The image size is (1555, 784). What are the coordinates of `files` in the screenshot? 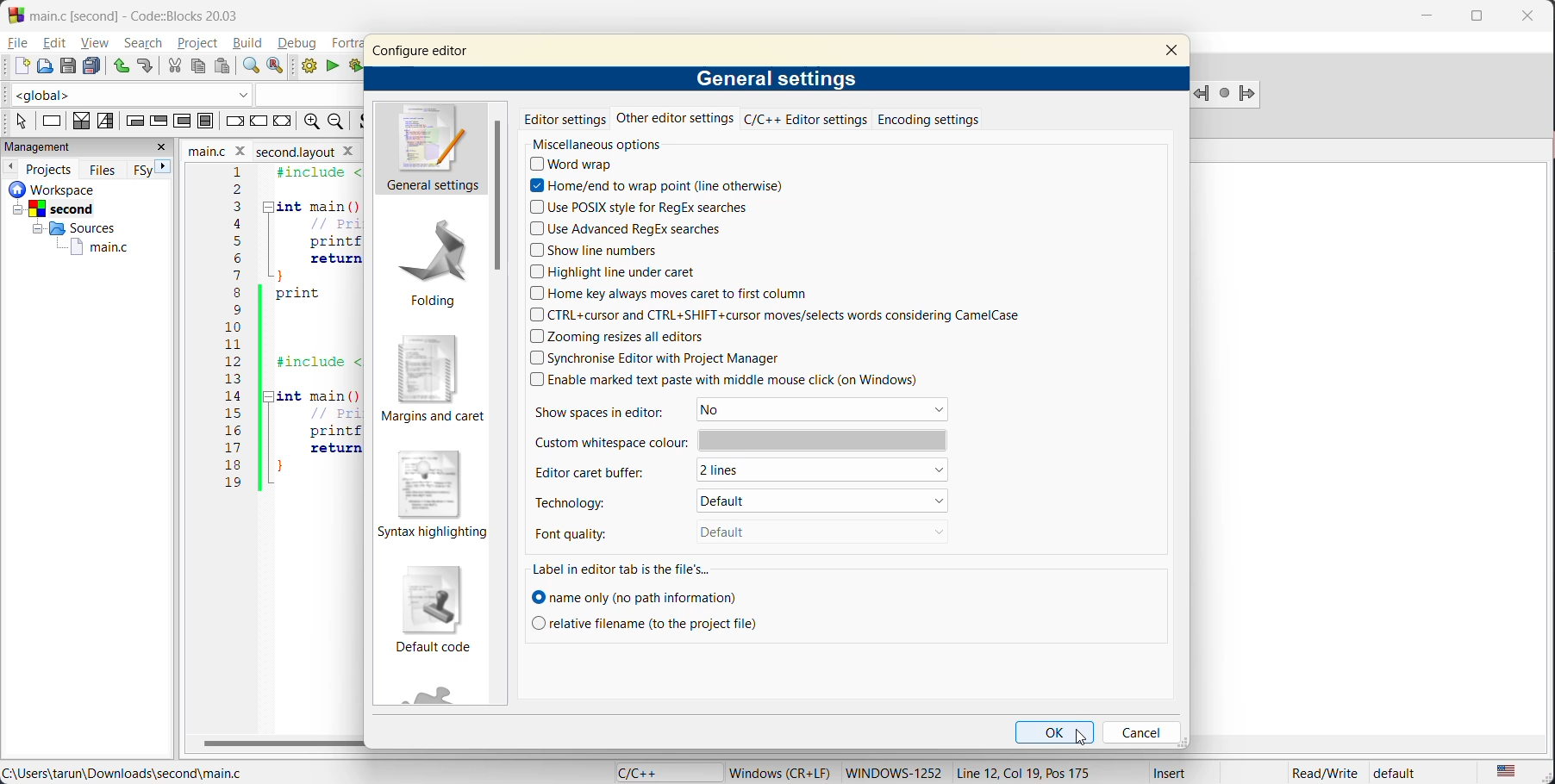 It's located at (100, 169).